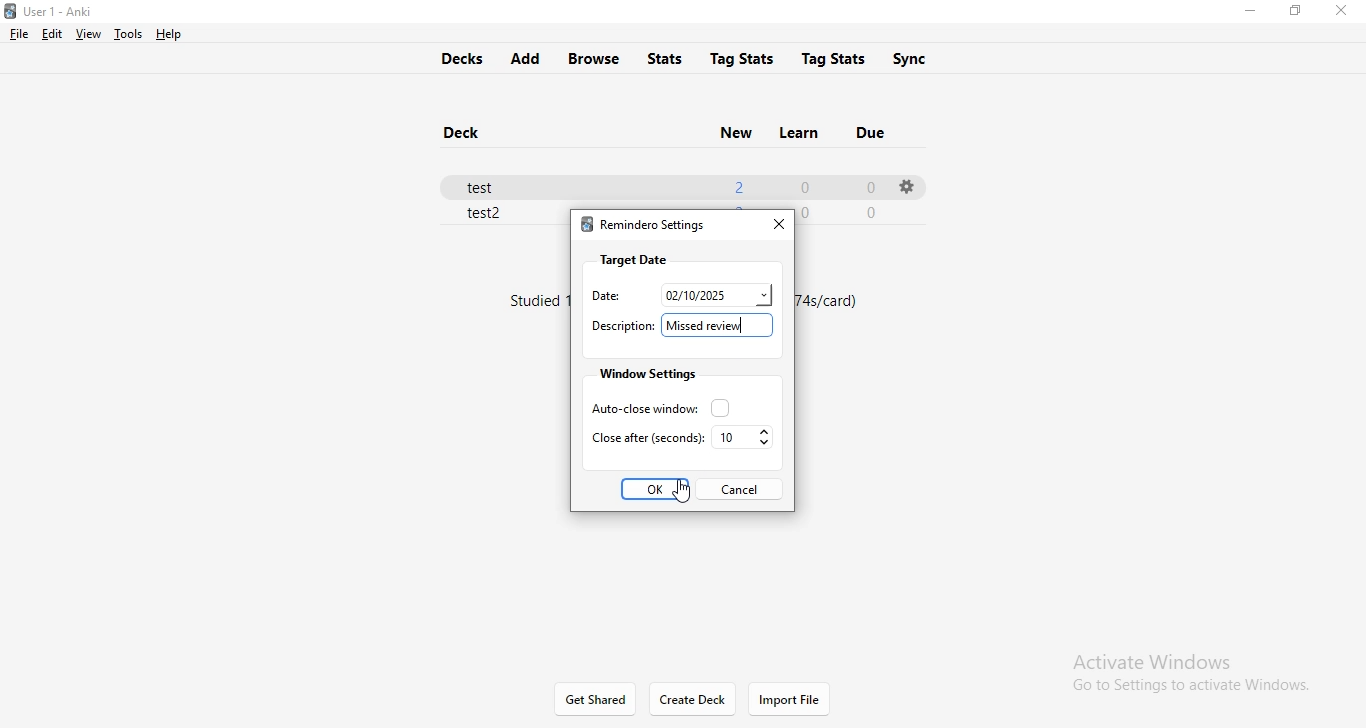  Describe the element at coordinates (486, 215) in the screenshot. I see `test 2` at that location.